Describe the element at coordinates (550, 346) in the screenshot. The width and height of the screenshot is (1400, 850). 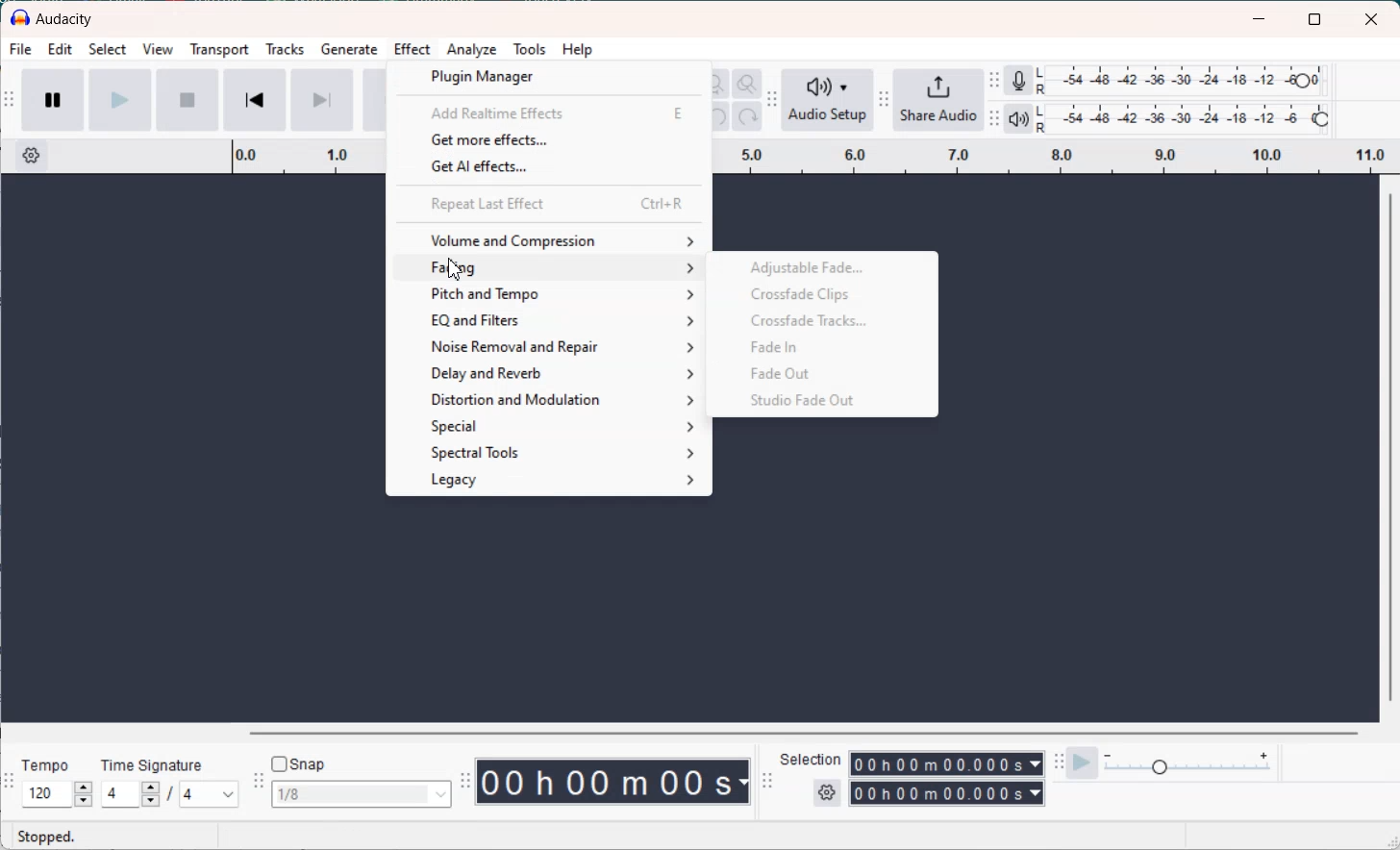
I see `Noise removal and repair` at that location.